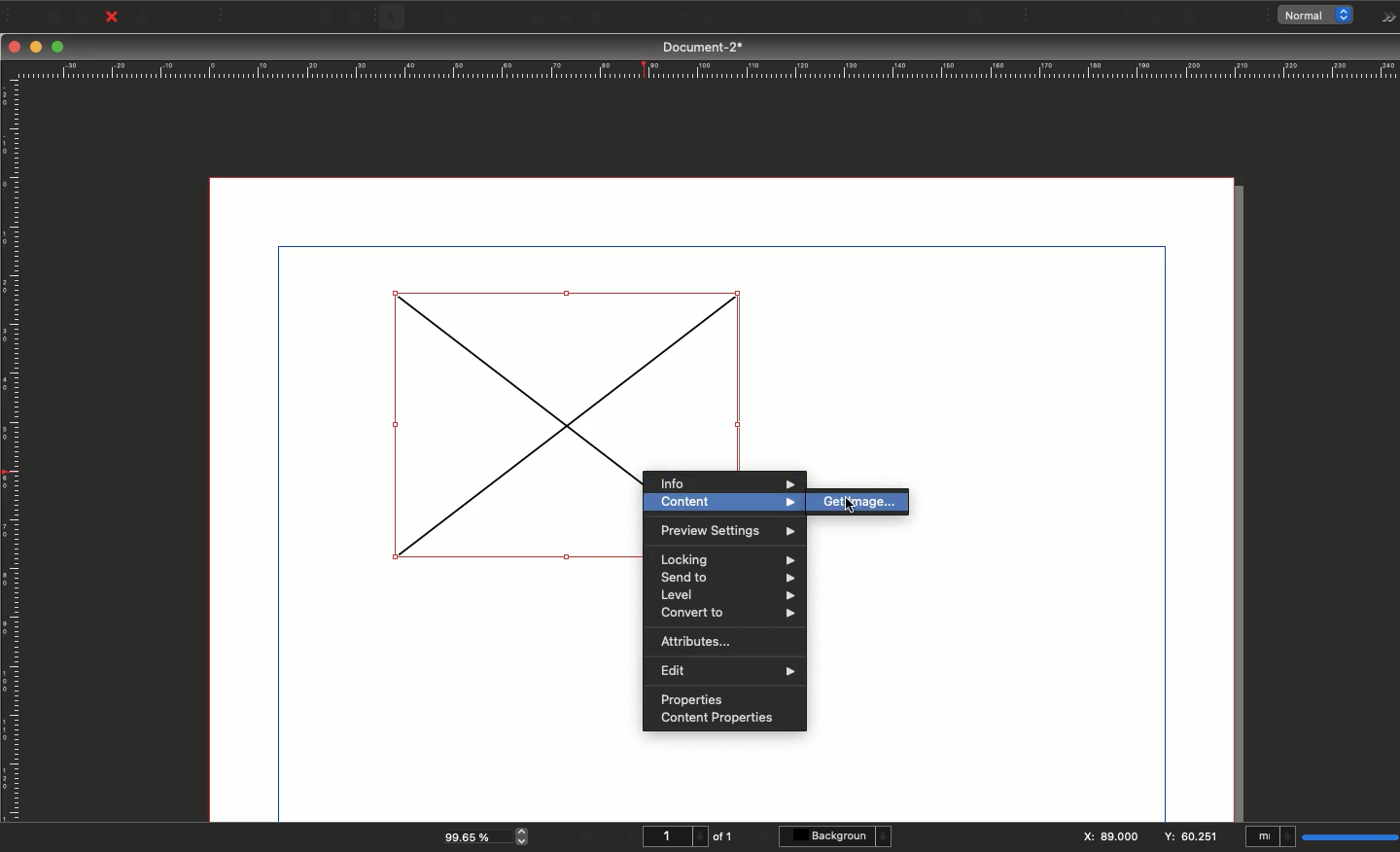 The image size is (1400, 852). I want to click on Edit contents of frame, so click(810, 18).